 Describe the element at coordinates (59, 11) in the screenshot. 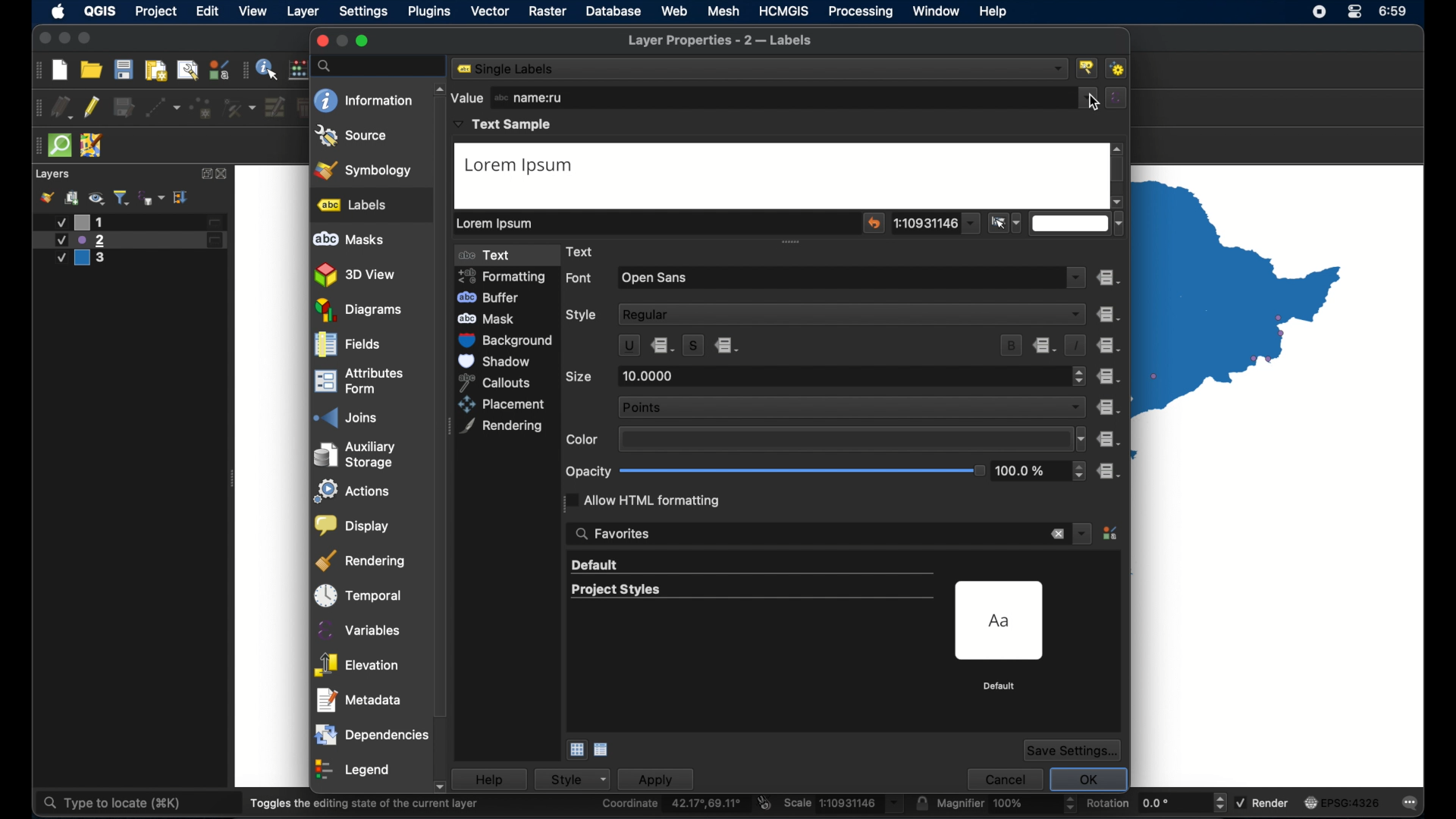

I see `apple icon` at that location.